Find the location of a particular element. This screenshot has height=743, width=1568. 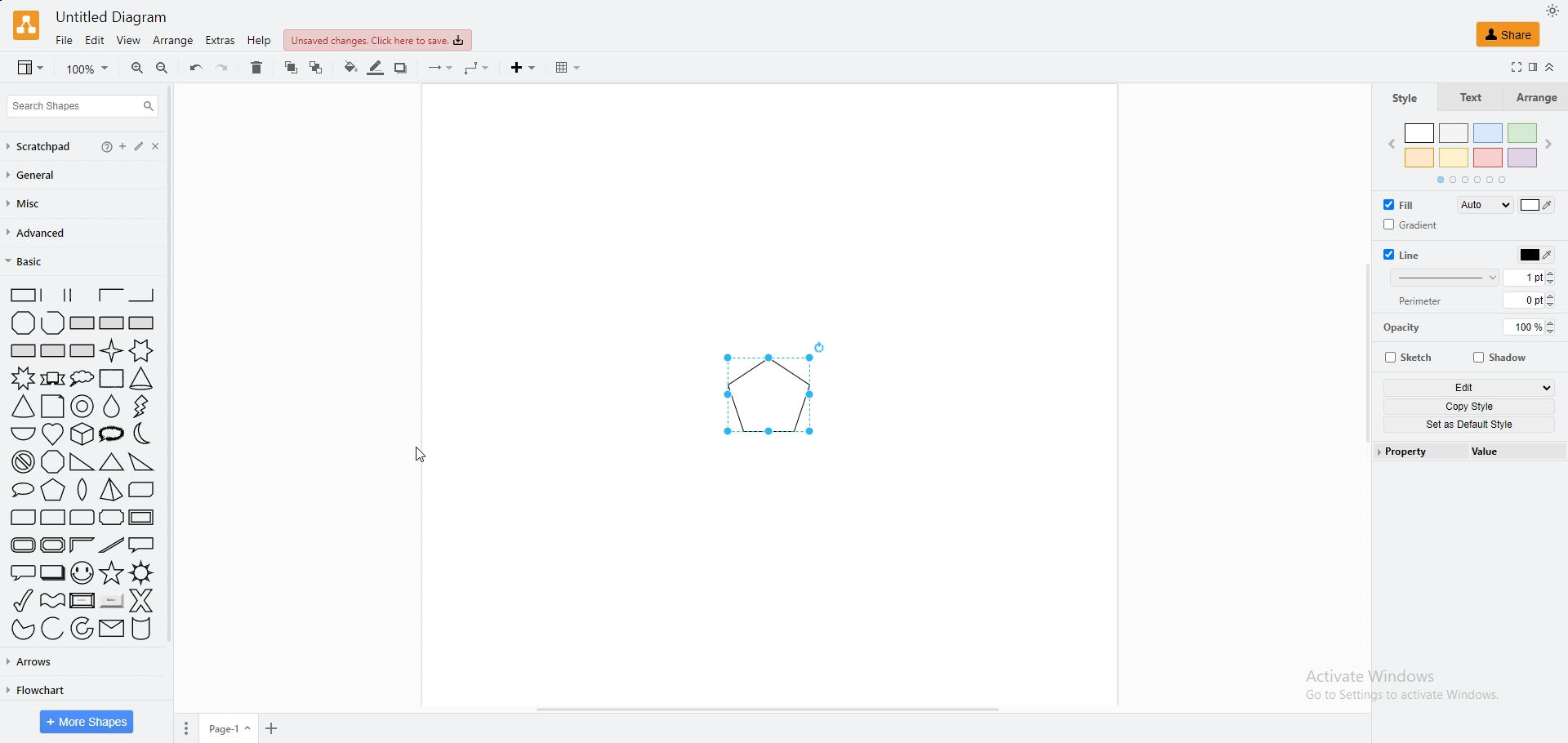

add is located at coordinates (273, 729).